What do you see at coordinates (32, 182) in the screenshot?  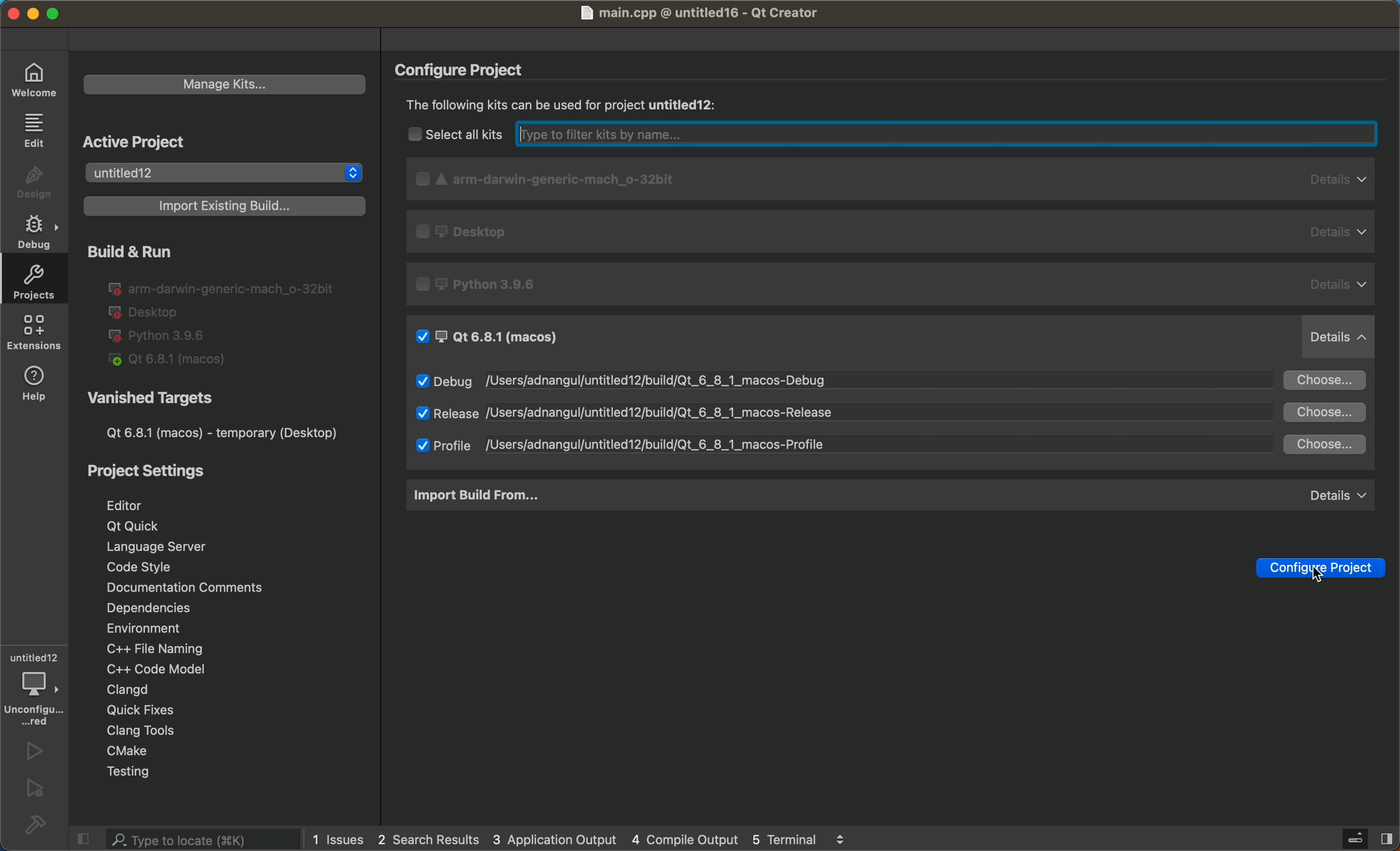 I see `design` at bounding box center [32, 182].